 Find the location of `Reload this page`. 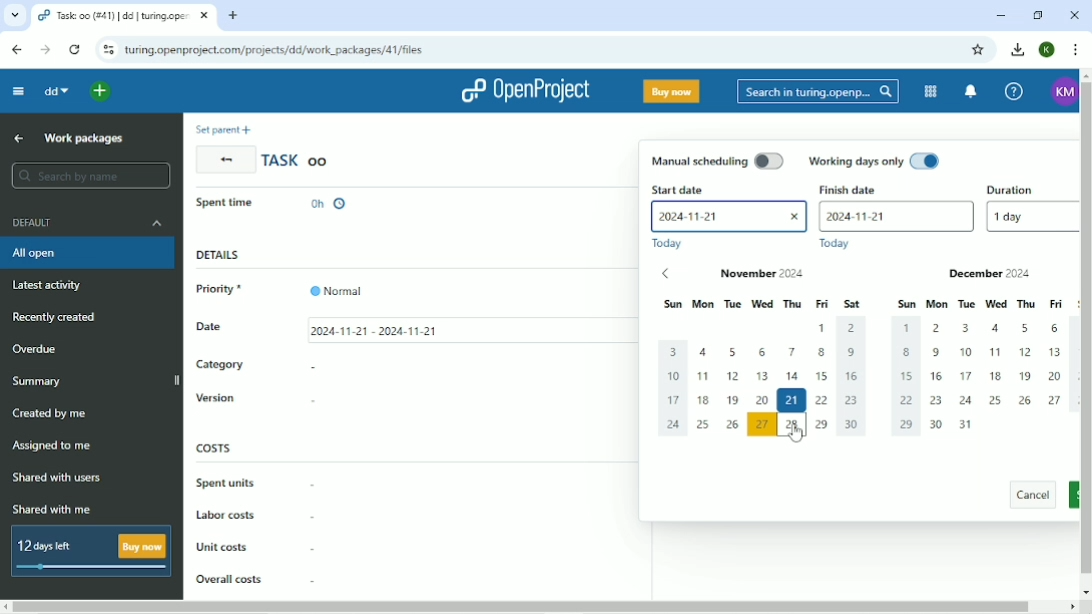

Reload this page is located at coordinates (74, 50).